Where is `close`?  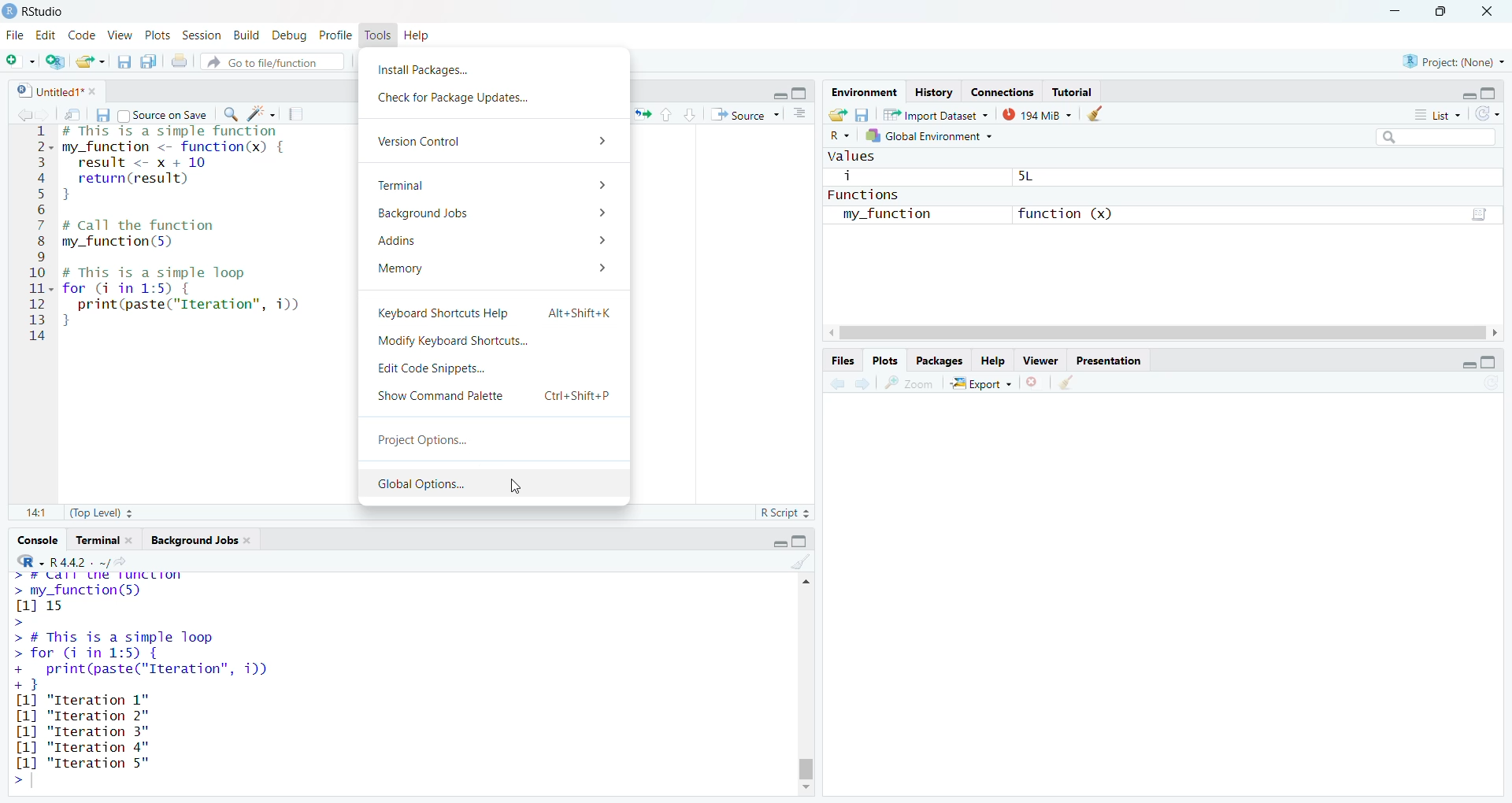
close is located at coordinates (98, 91).